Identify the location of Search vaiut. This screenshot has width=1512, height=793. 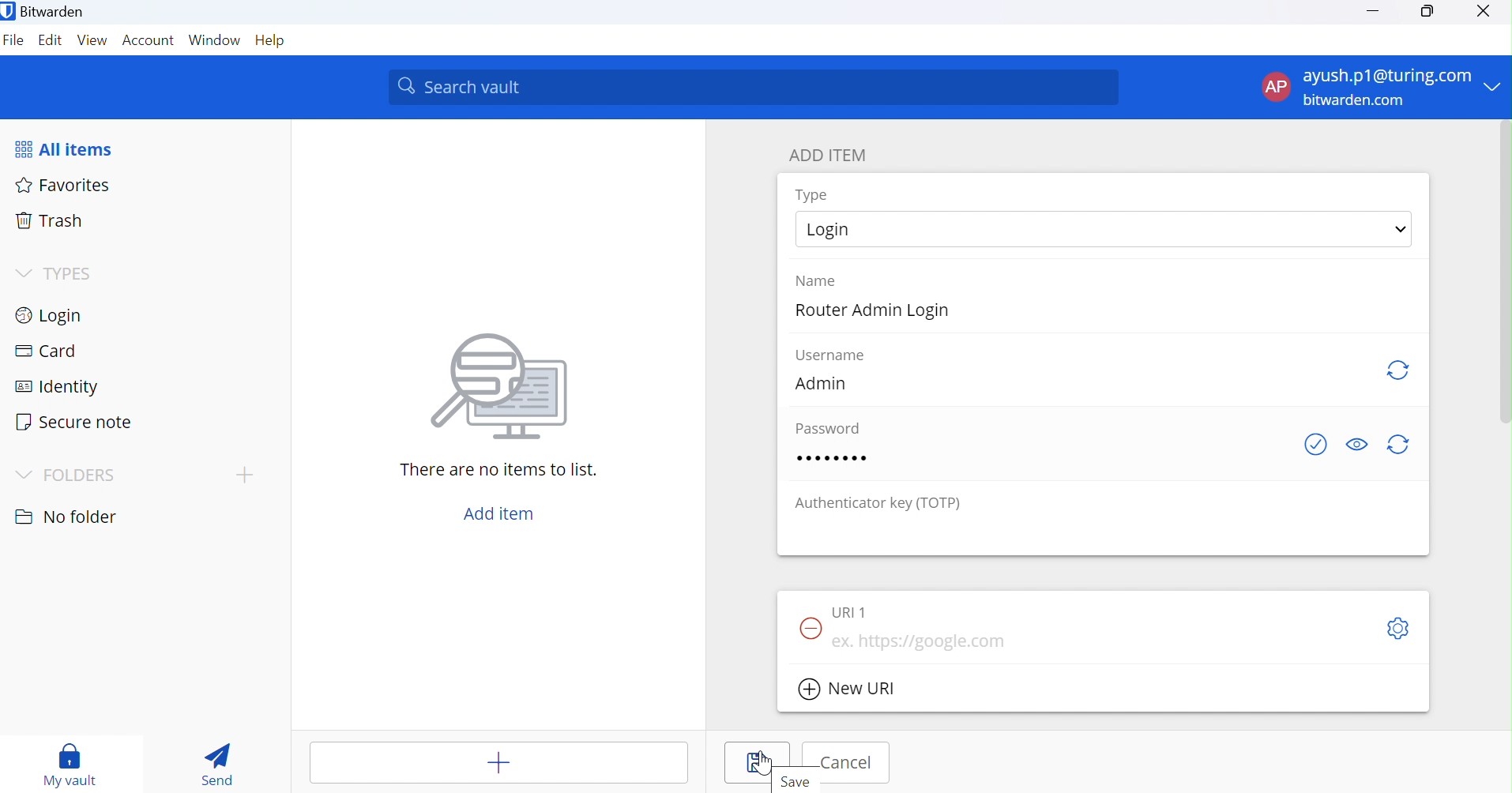
(754, 88).